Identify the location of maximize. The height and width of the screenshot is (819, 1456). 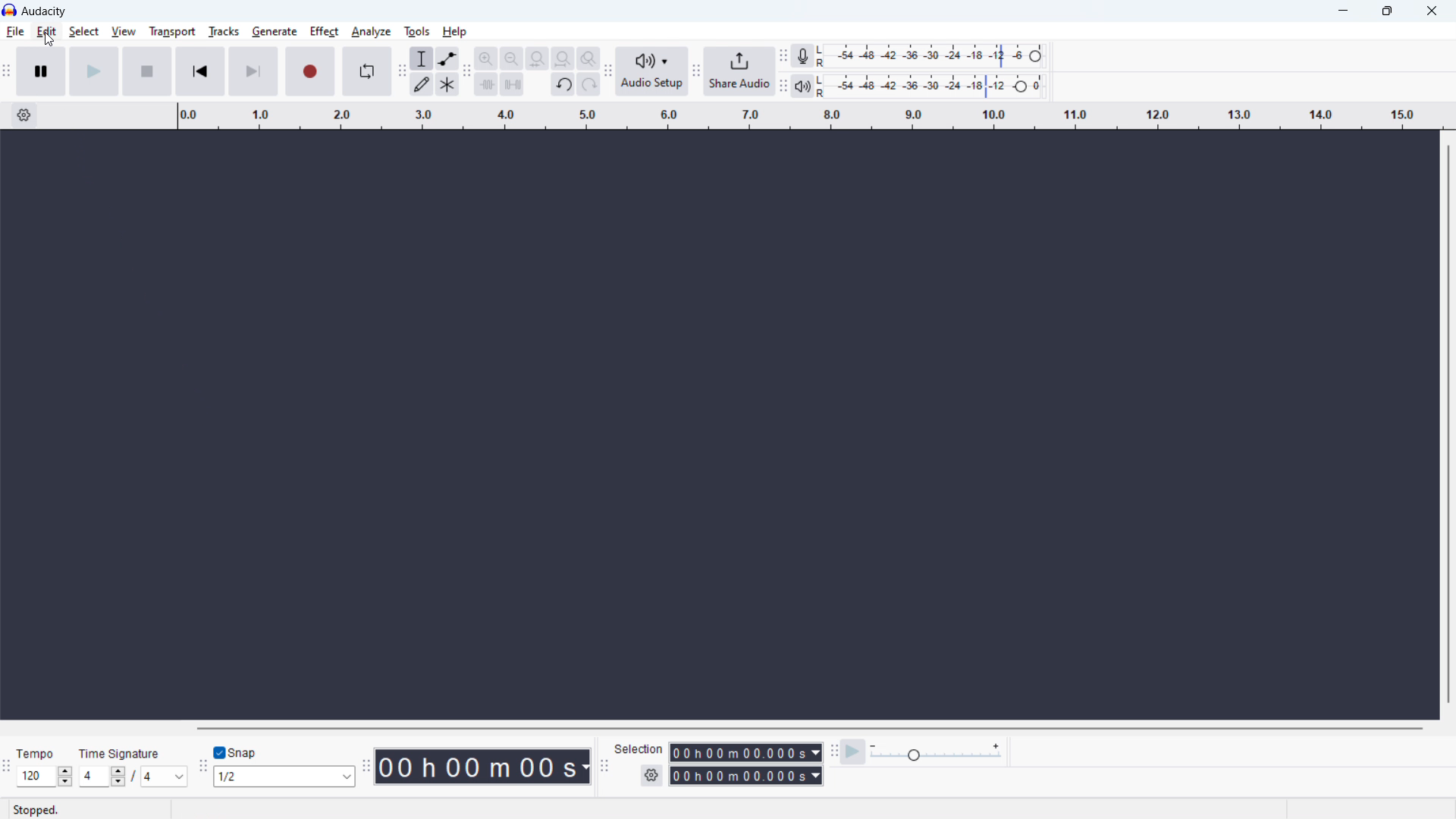
(1385, 11).